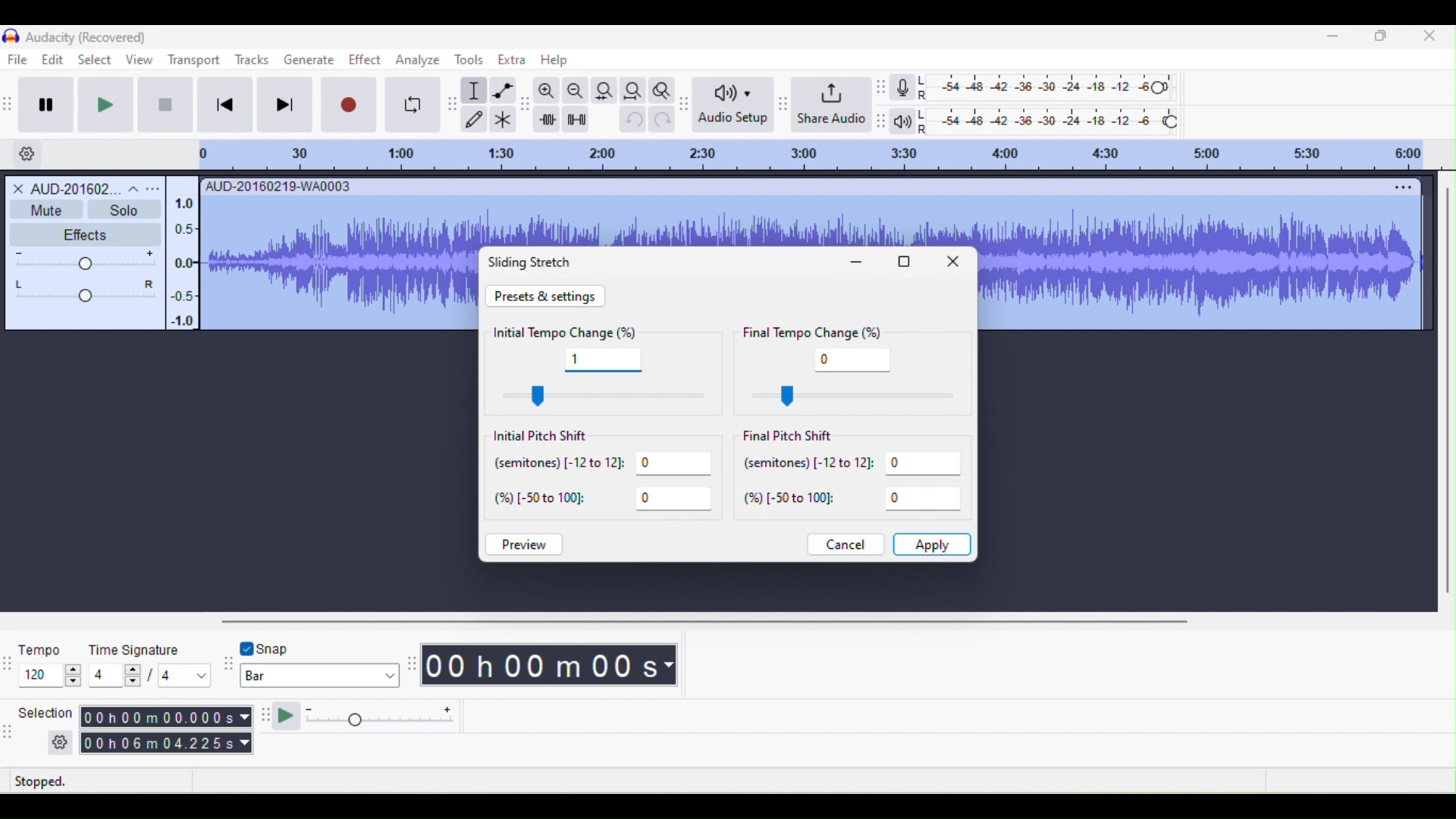  I want to click on Minimize/Maximize, so click(1382, 39).